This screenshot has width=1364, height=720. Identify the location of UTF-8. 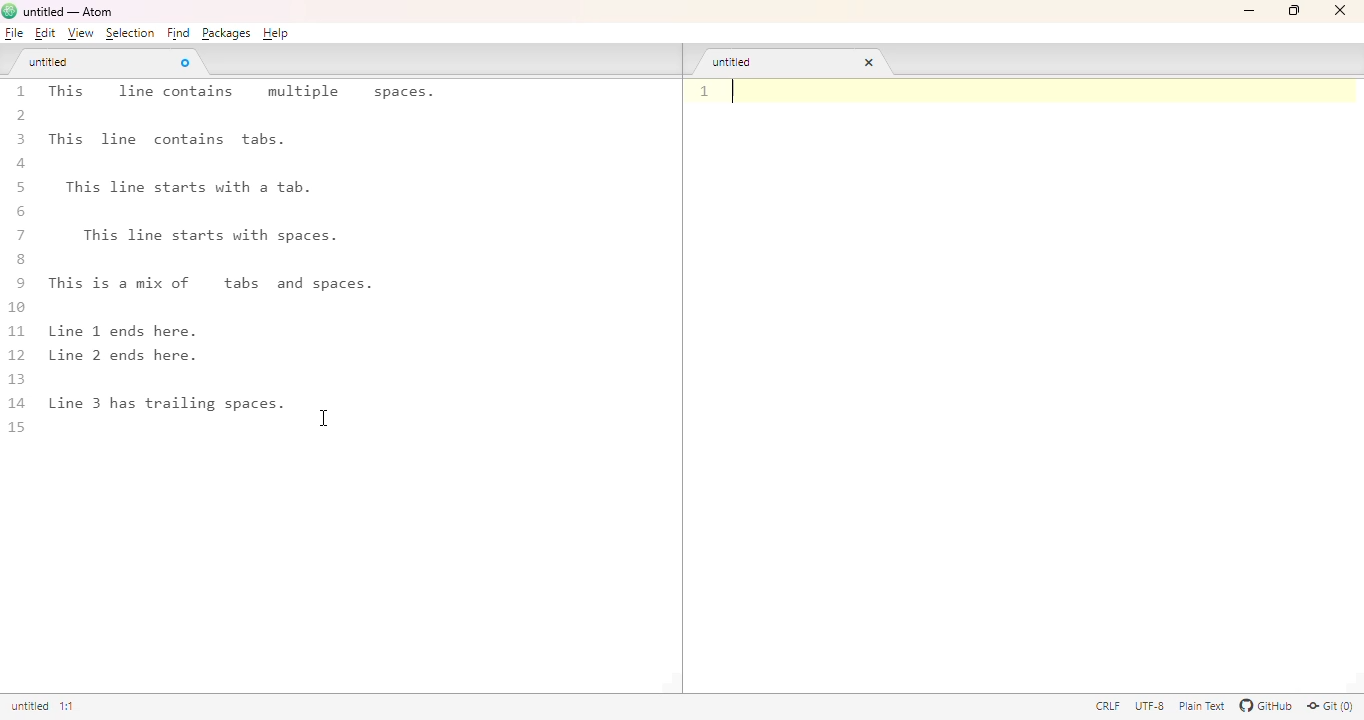
(1149, 706).